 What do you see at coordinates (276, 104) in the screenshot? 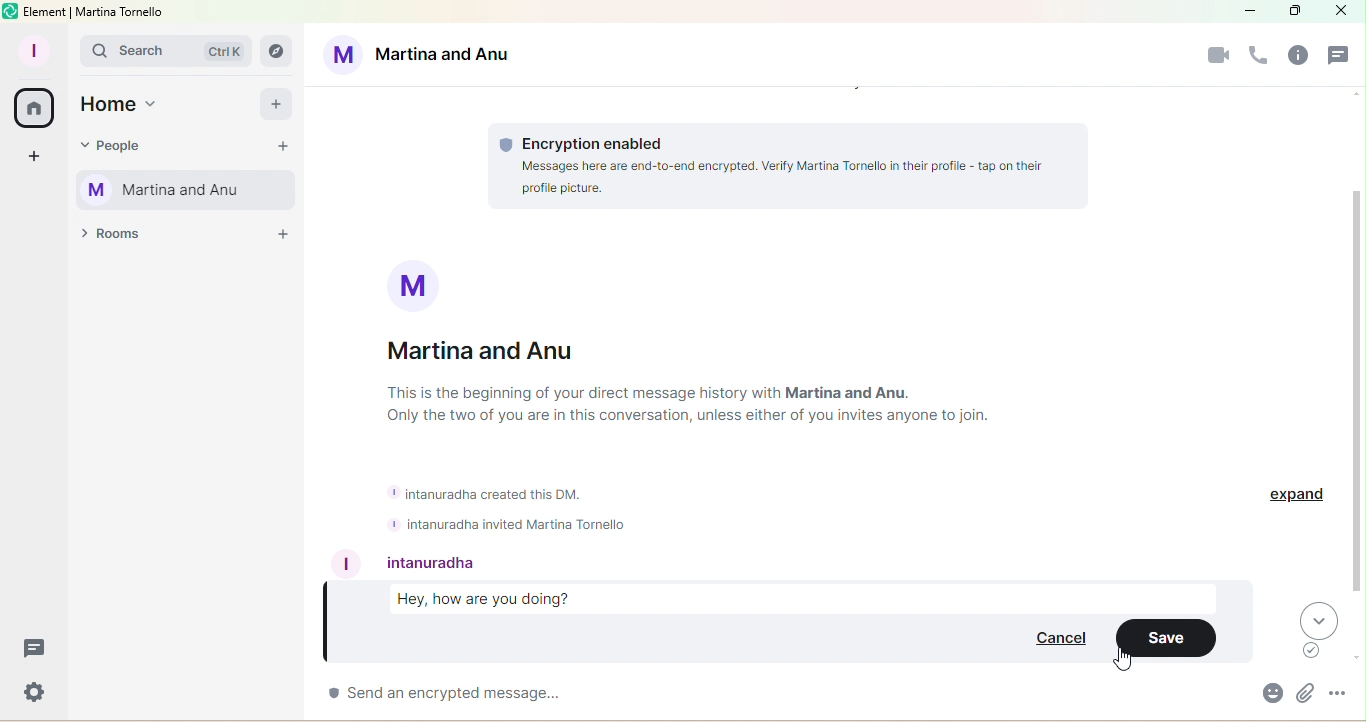
I see `Add` at bounding box center [276, 104].